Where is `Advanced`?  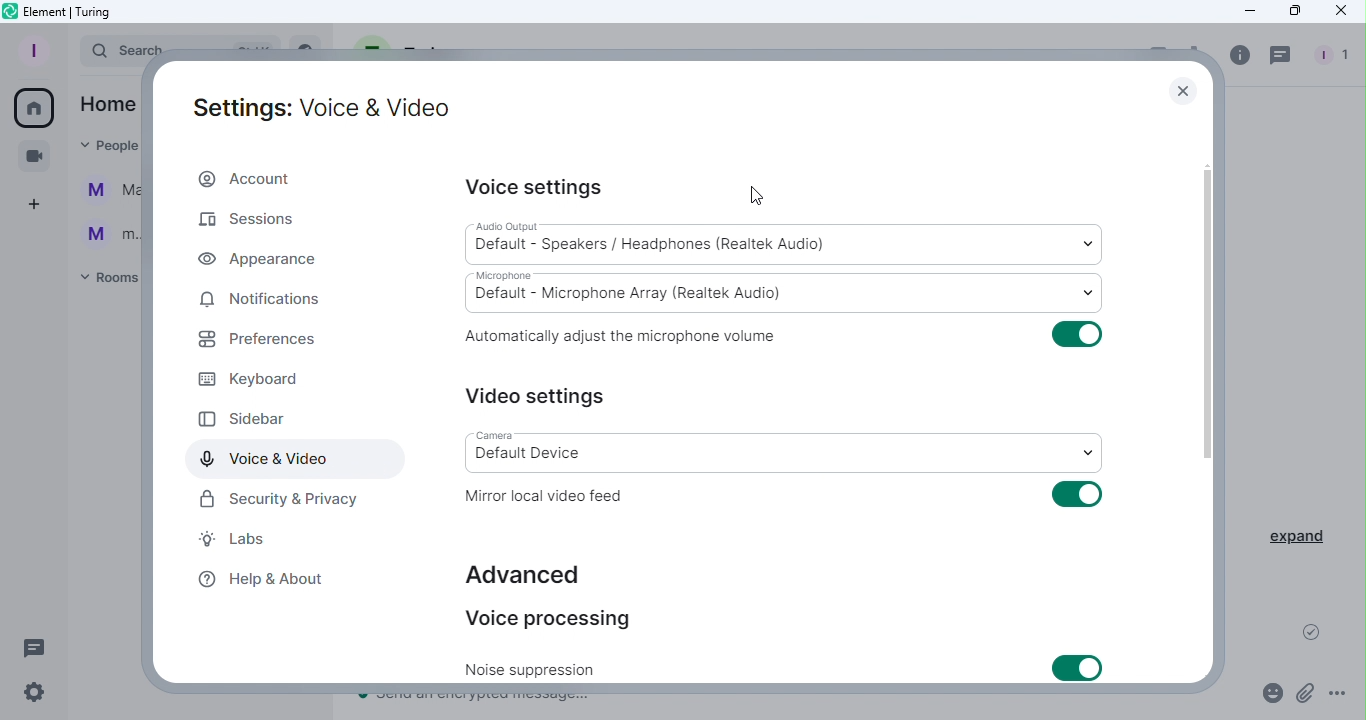 Advanced is located at coordinates (530, 572).